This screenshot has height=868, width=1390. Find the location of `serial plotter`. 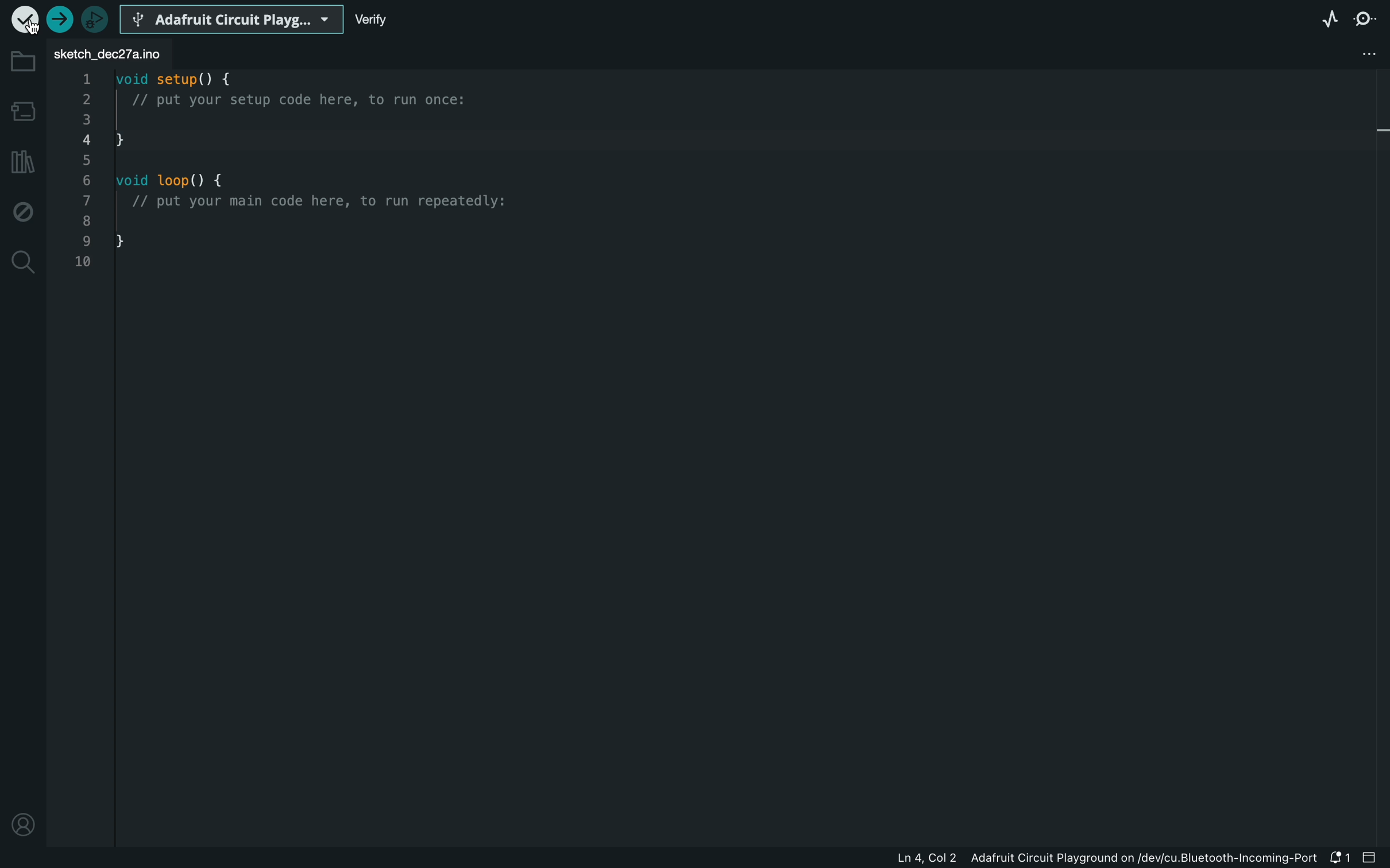

serial plotter is located at coordinates (1325, 19).